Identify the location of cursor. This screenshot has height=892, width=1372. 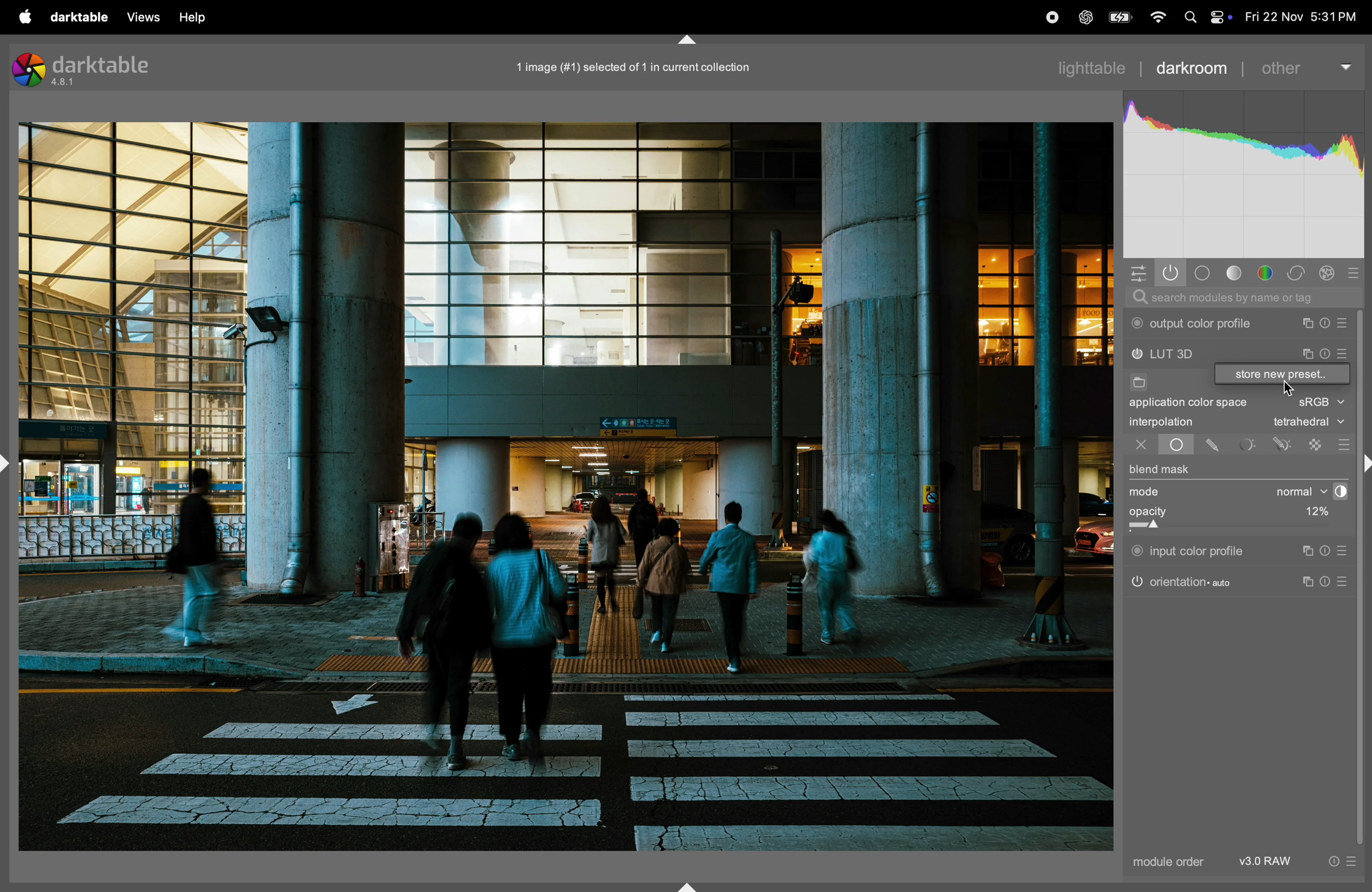
(1288, 390).